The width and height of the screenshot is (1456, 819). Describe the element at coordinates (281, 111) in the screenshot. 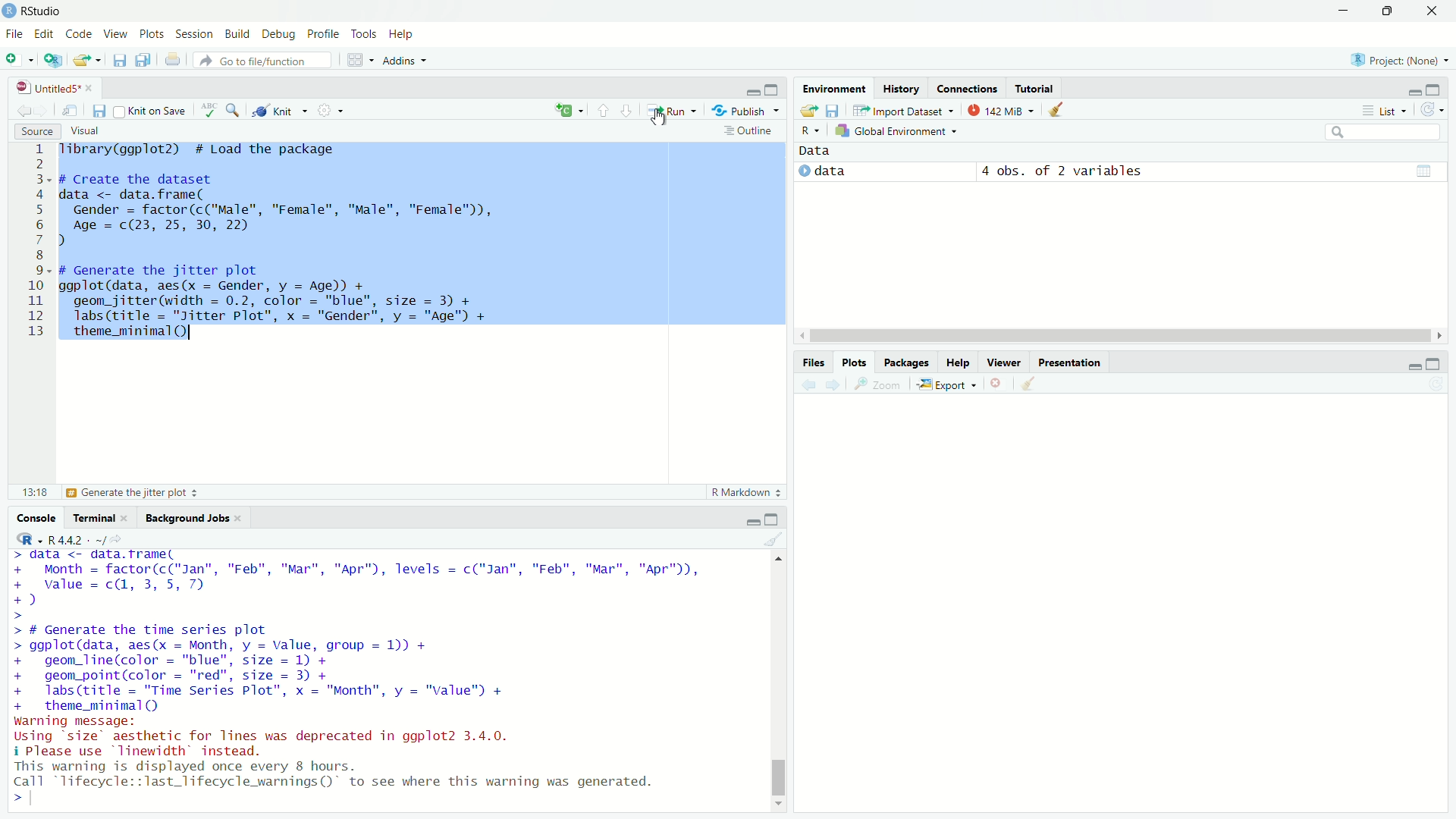

I see `knit` at that location.